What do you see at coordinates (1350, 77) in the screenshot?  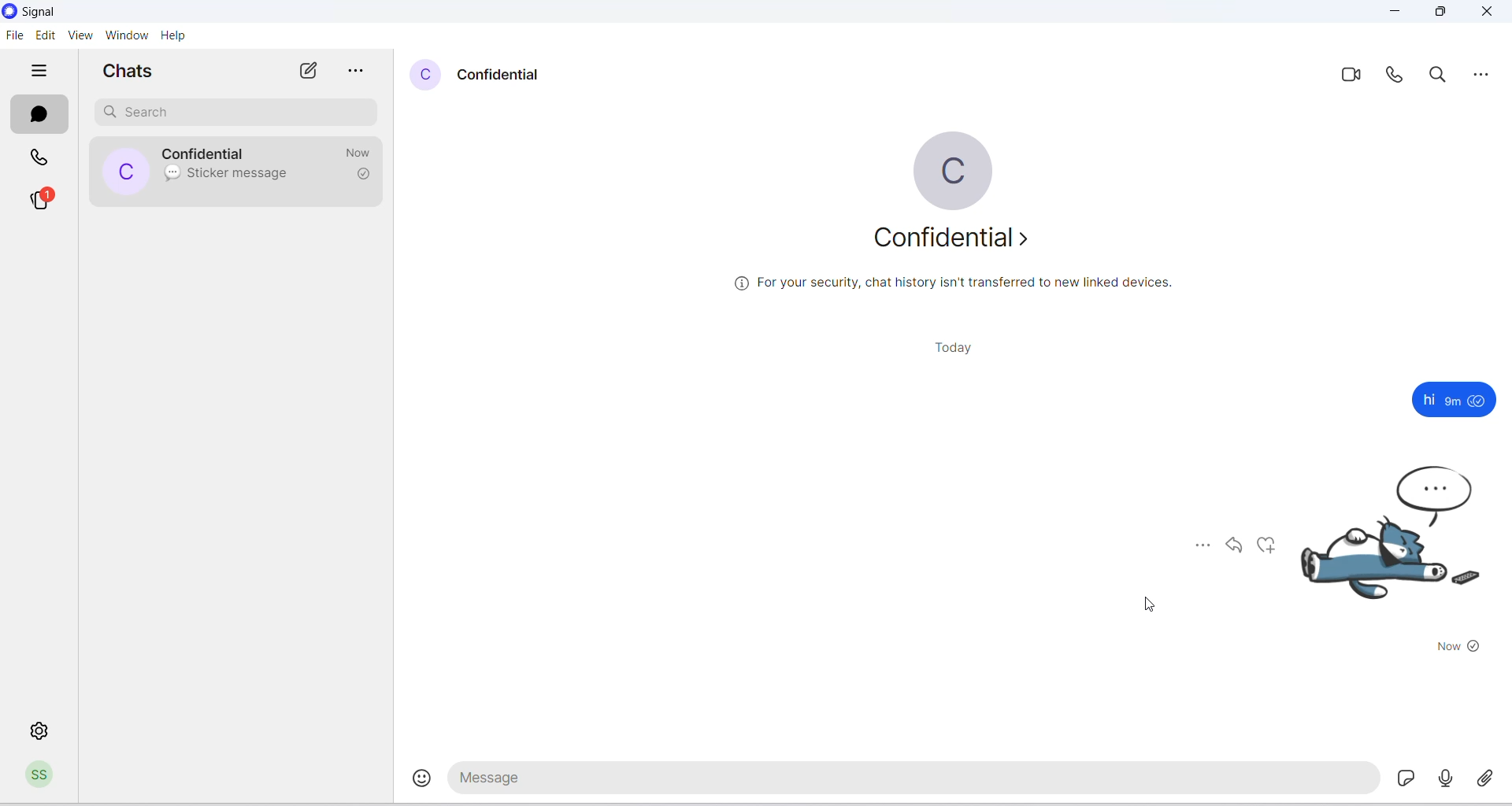 I see `video call` at bounding box center [1350, 77].